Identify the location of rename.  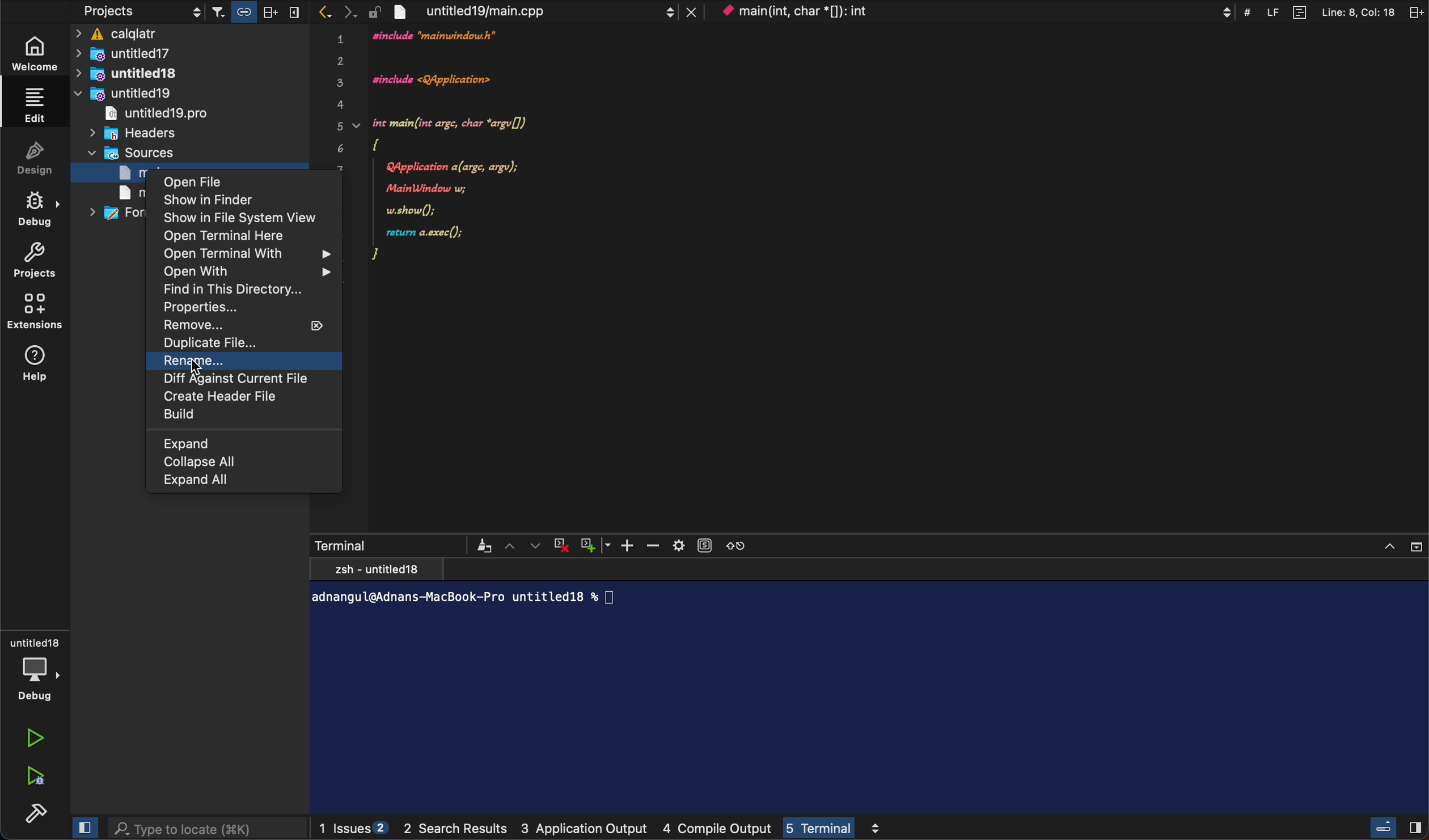
(244, 362).